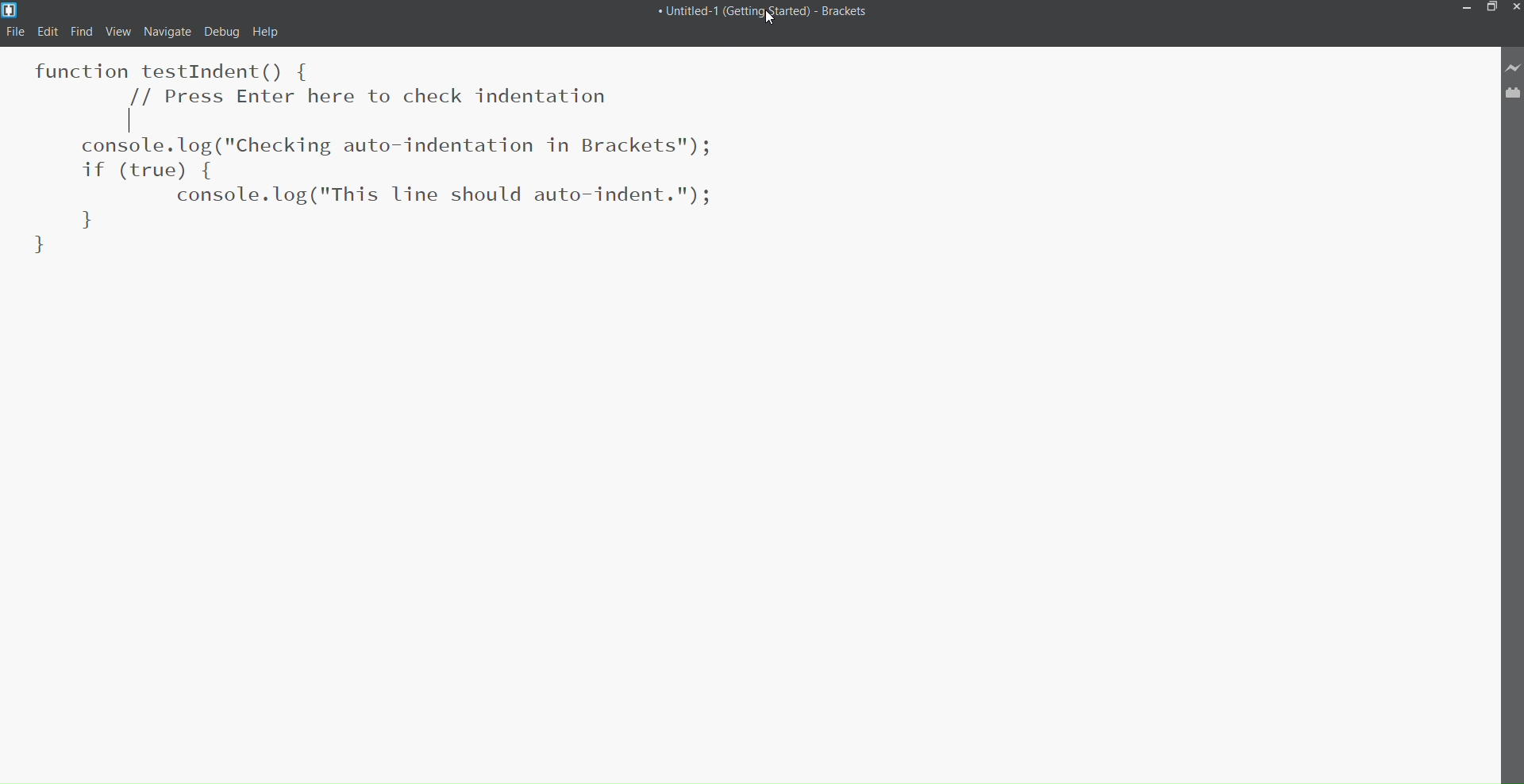 The image size is (1524, 784). What do you see at coordinates (1514, 92) in the screenshot?
I see `Extension Manager` at bounding box center [1514, 92].